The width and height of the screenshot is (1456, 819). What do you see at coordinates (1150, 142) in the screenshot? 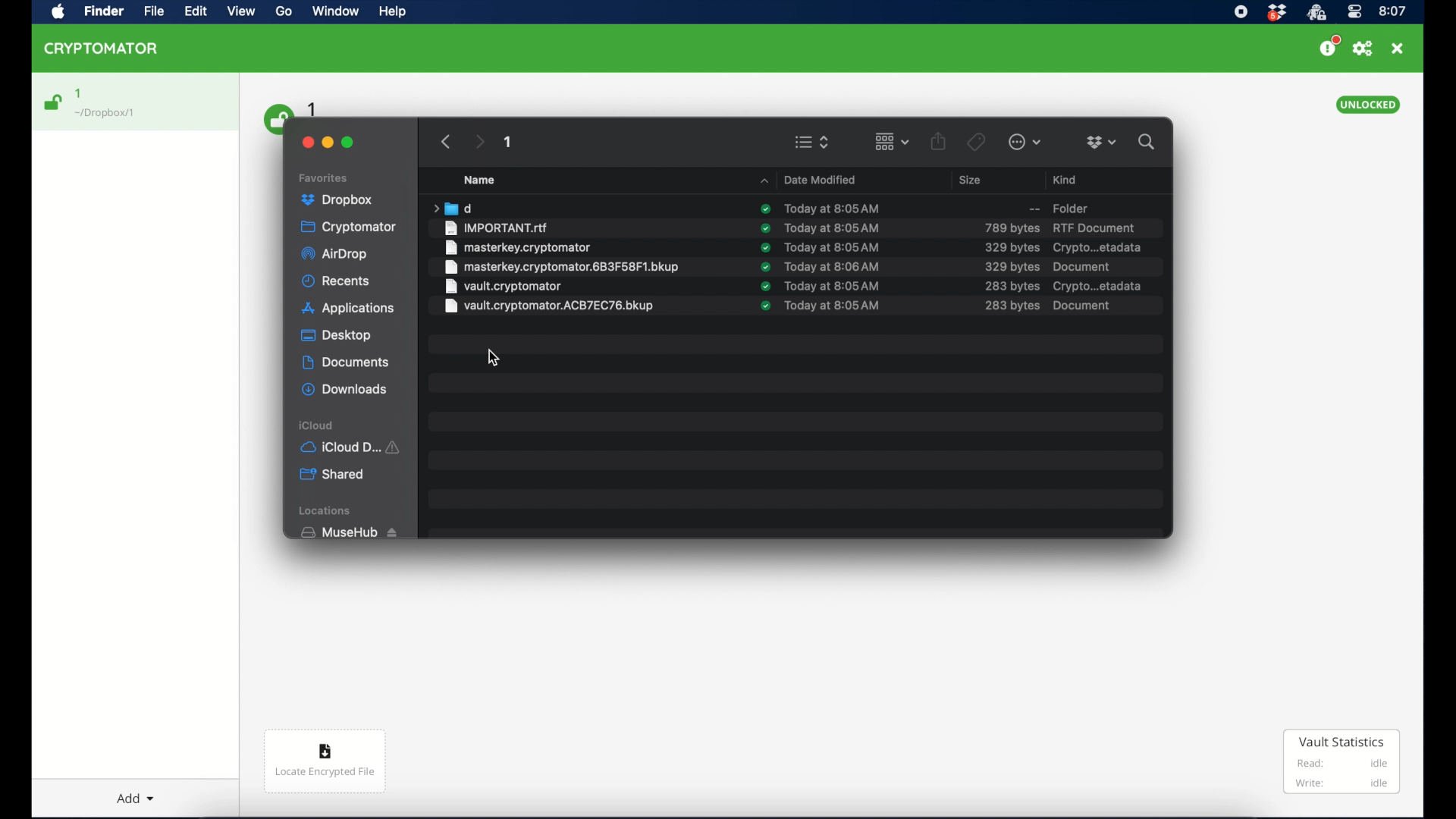
I see `search` at bounding box center [1150, 142].